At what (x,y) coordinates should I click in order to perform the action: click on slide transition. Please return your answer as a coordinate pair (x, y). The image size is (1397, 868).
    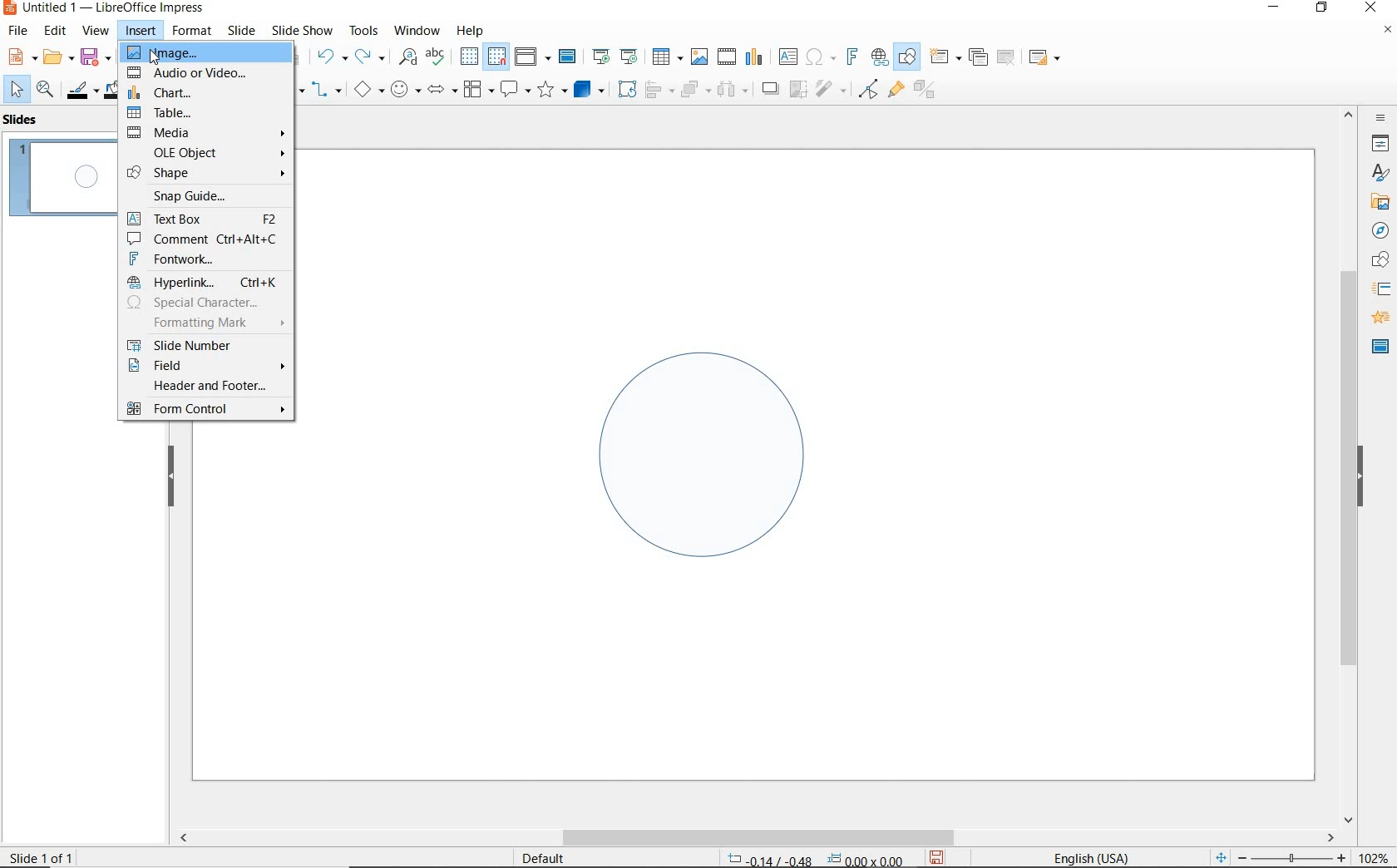
    Looking at the image, I should click on (1380, 289).